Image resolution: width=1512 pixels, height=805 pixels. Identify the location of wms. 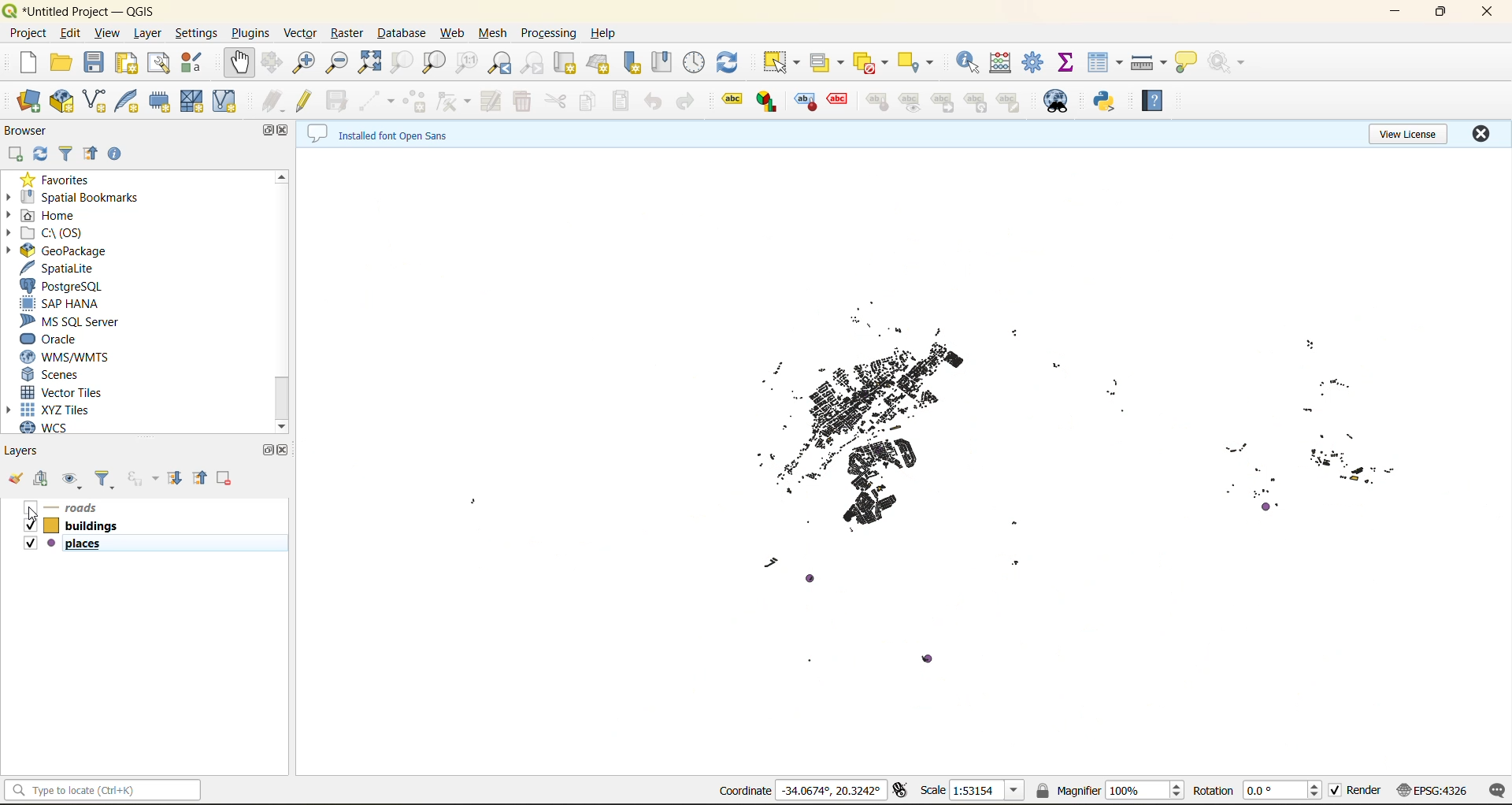
(66, 358).